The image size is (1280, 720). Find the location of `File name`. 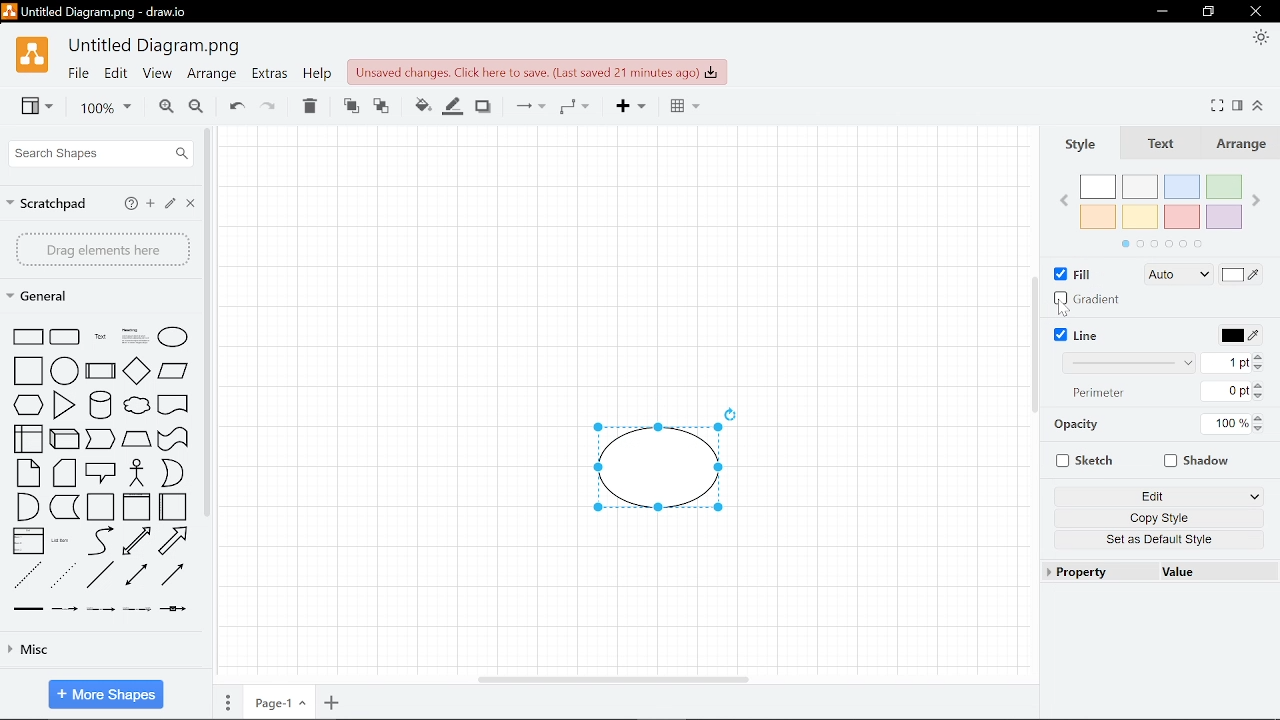

File name is located at coordinates (154, 47).